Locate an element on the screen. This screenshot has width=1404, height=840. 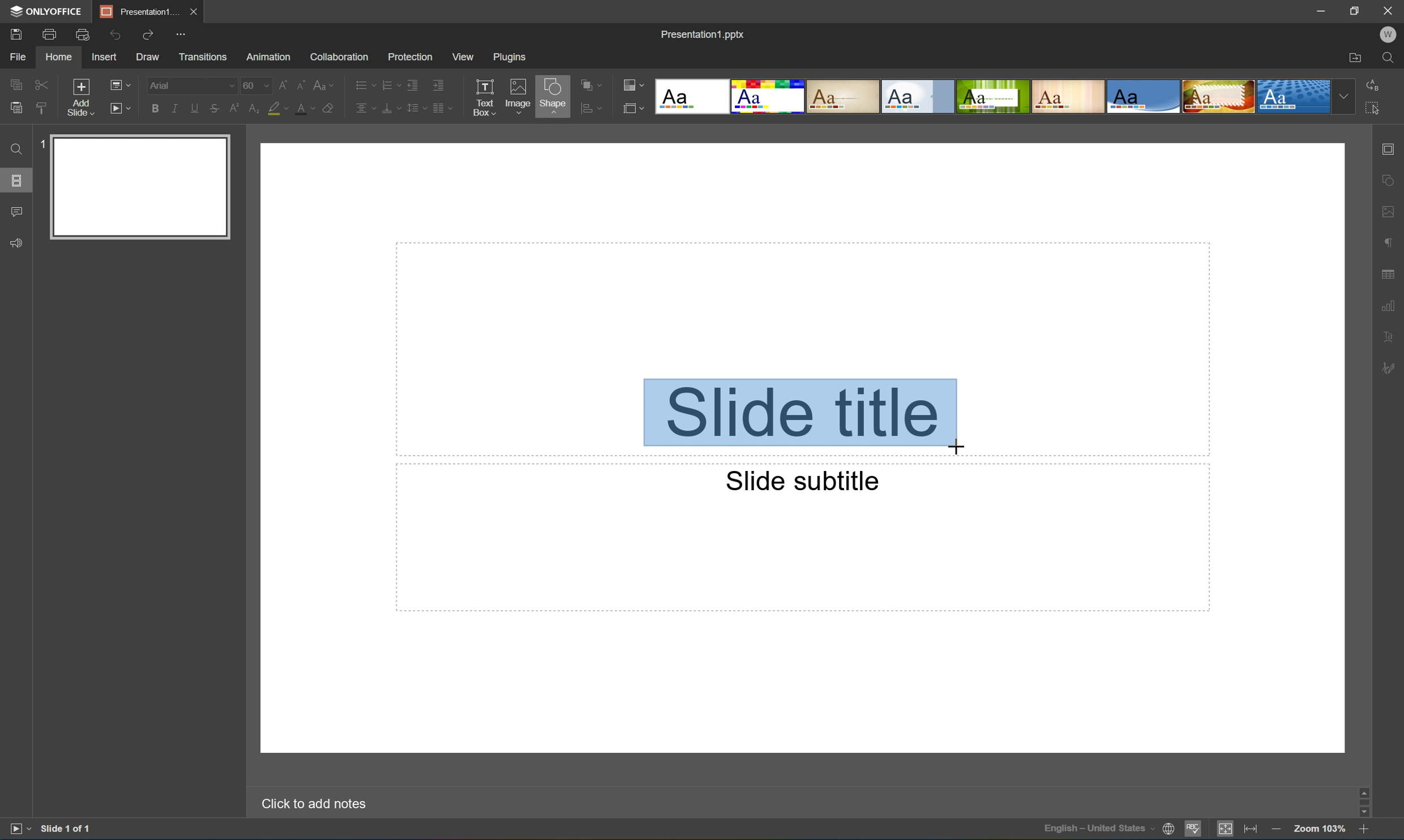
60 is located at coordinates (255, 85).